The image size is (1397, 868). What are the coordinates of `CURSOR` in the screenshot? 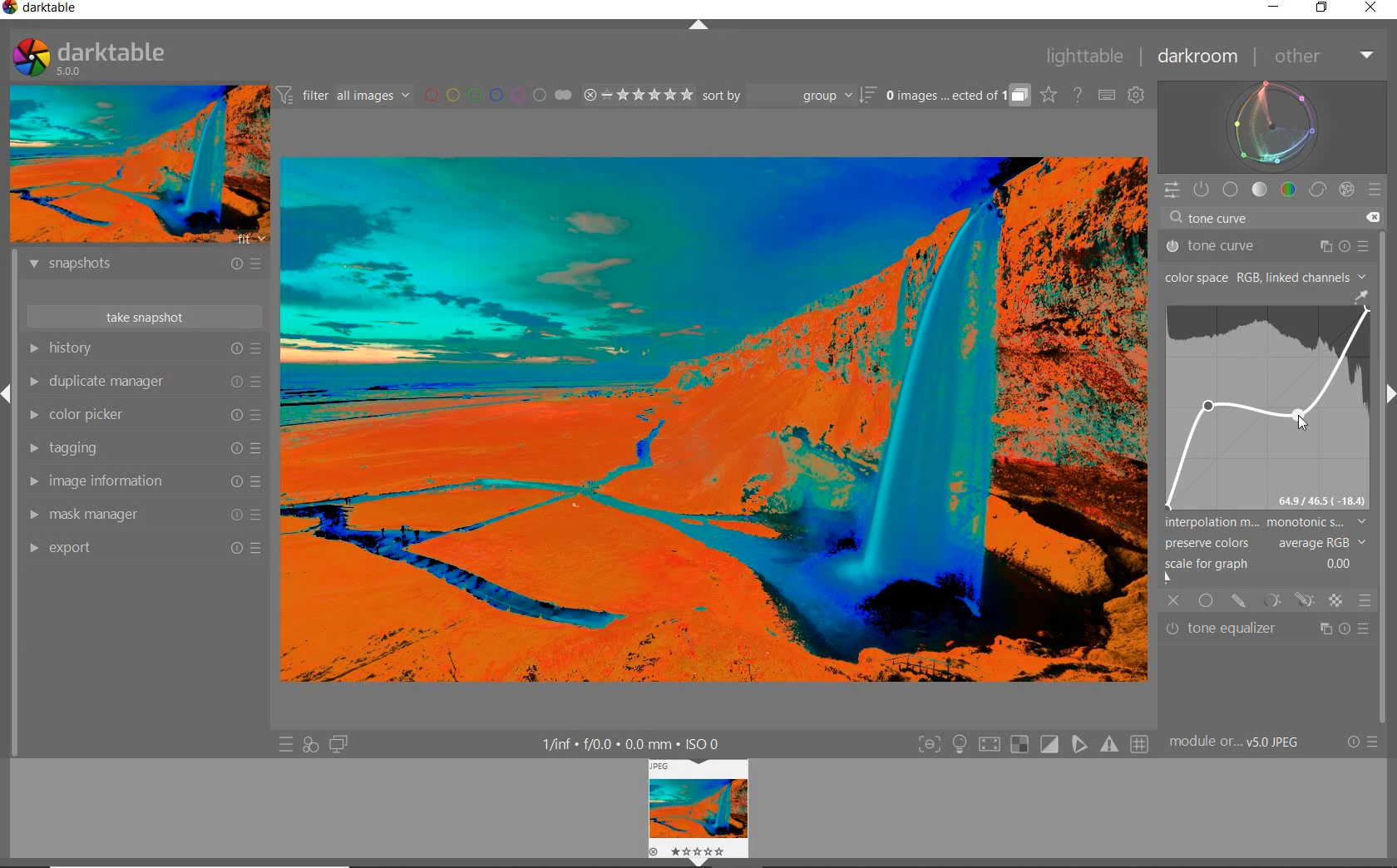 It's located at (1301, 420).